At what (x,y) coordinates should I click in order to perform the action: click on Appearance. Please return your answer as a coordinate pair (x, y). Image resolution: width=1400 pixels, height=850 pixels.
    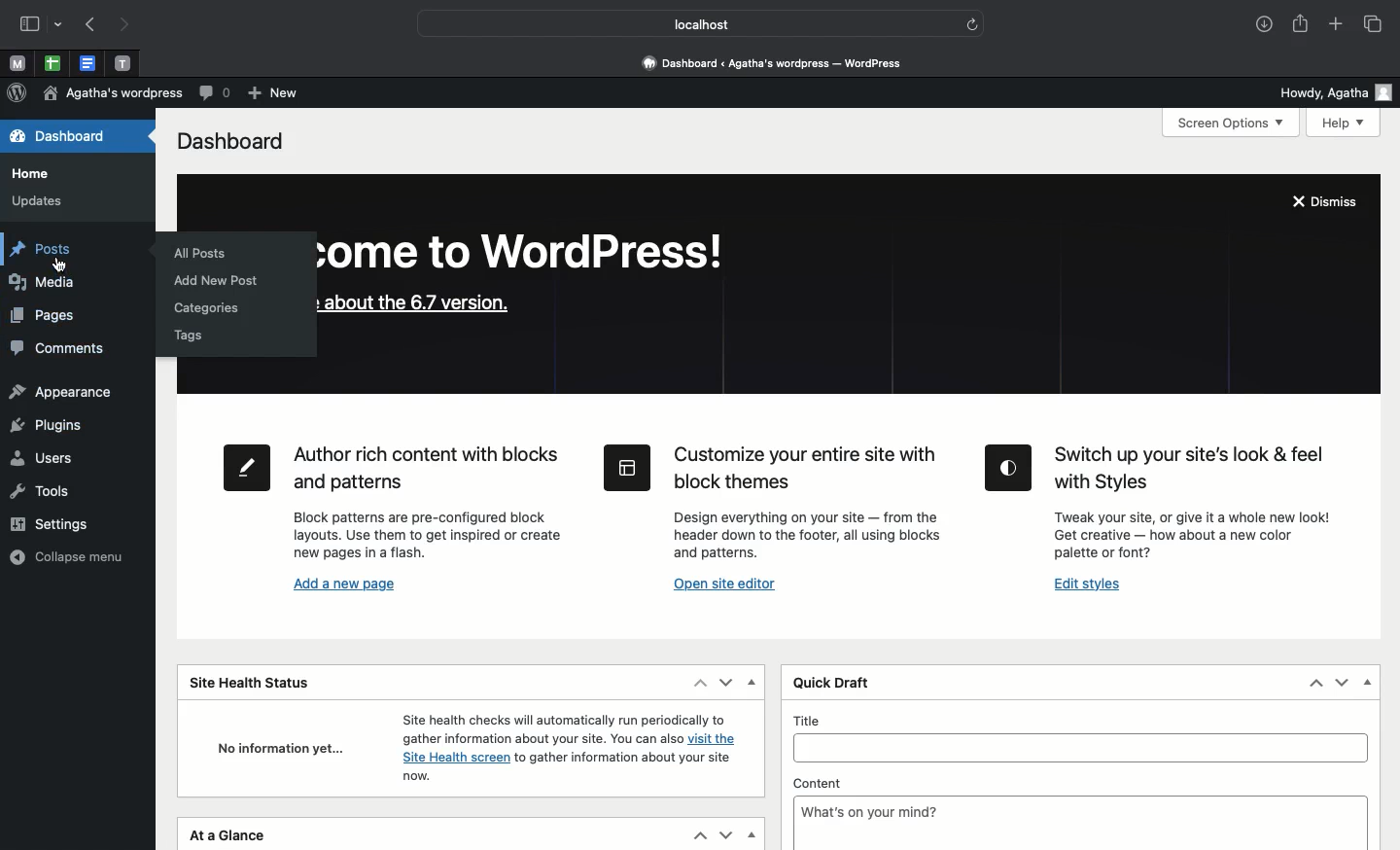
    Looking at the image, I should click on (59, 394).